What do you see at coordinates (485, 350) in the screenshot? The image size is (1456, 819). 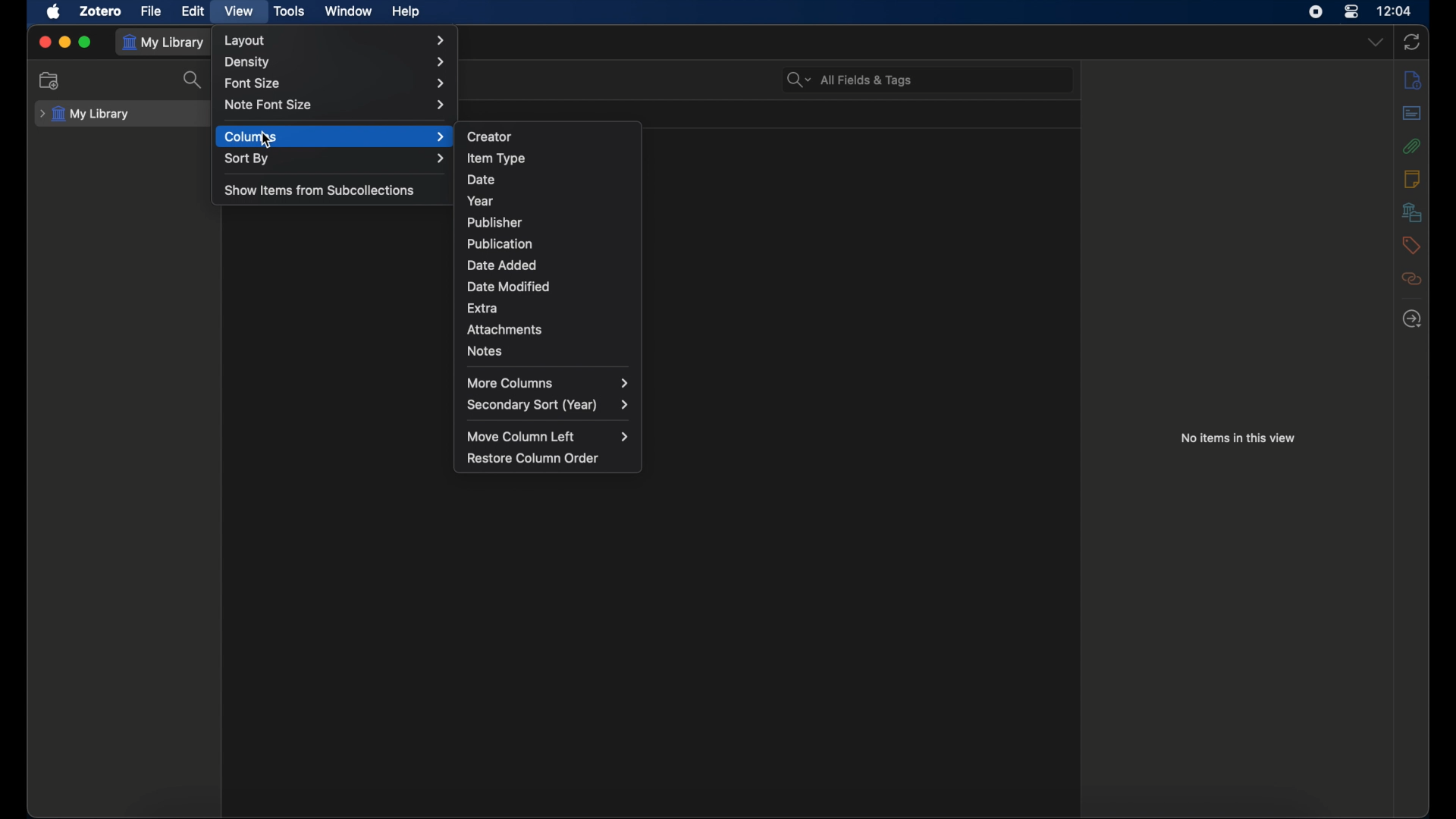 I see `notes` at bounding box center [485, 350].